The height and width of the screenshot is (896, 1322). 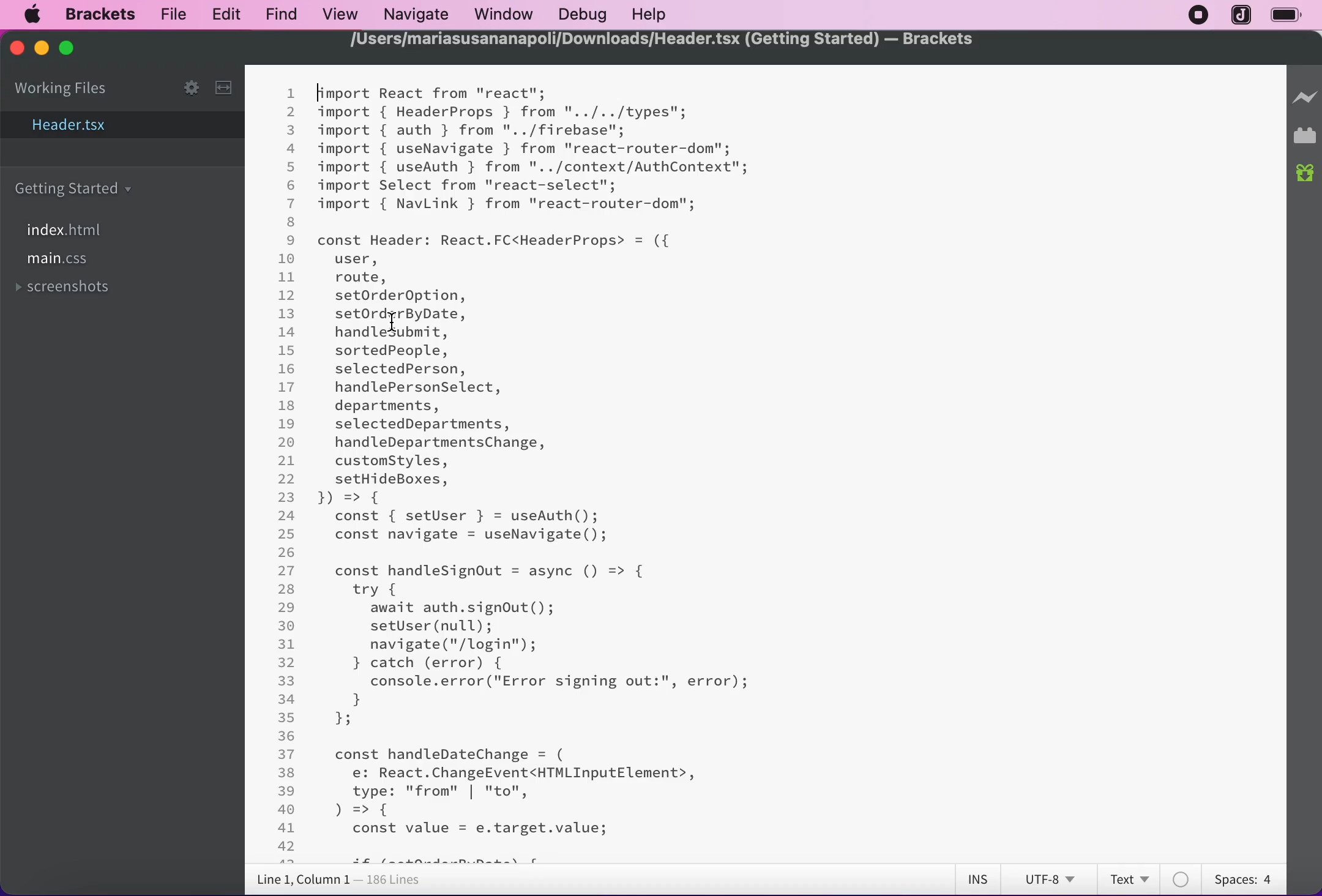 I want to click on color, so click(x=1184, y=881).